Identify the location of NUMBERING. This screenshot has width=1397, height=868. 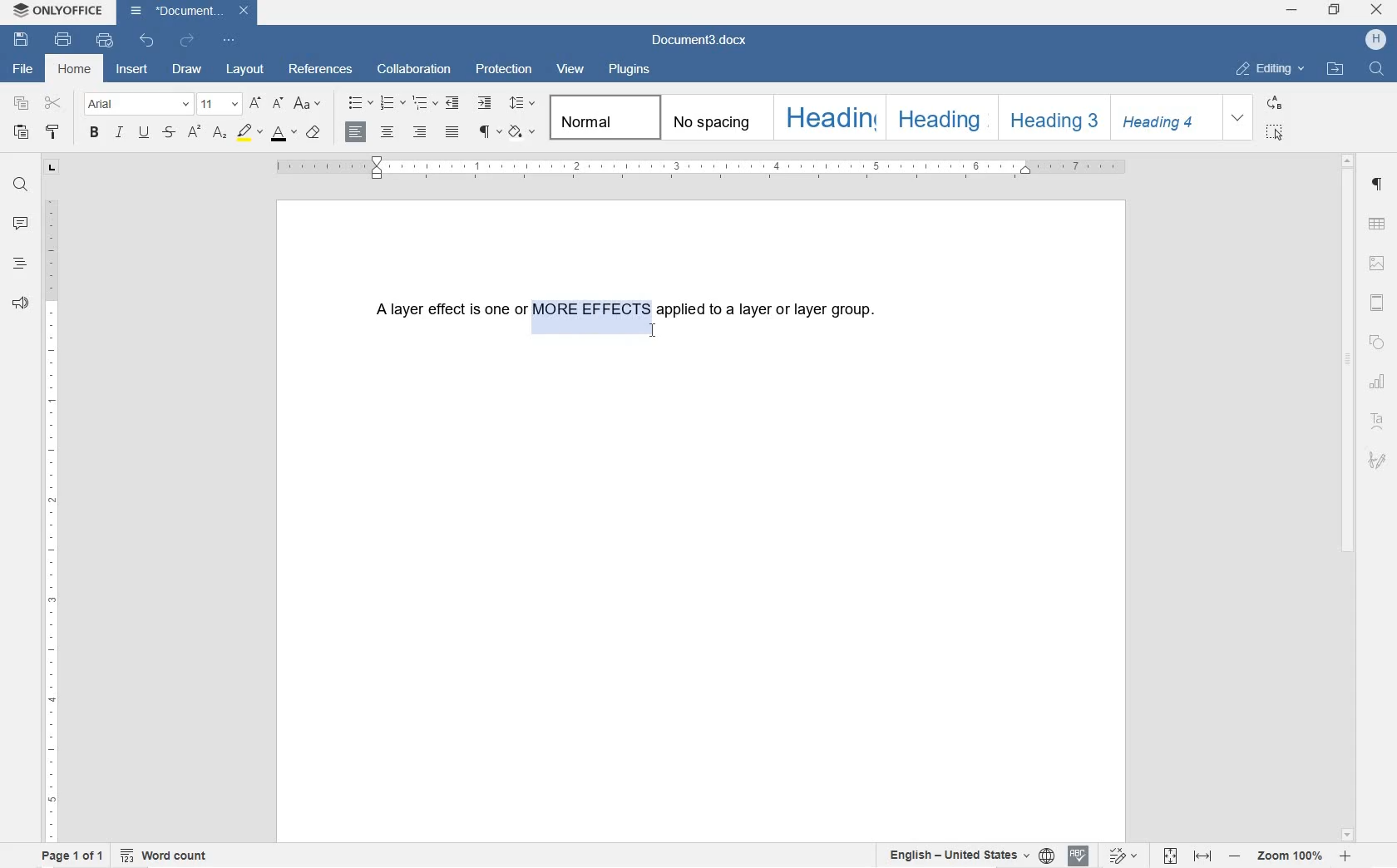
(393, 104).